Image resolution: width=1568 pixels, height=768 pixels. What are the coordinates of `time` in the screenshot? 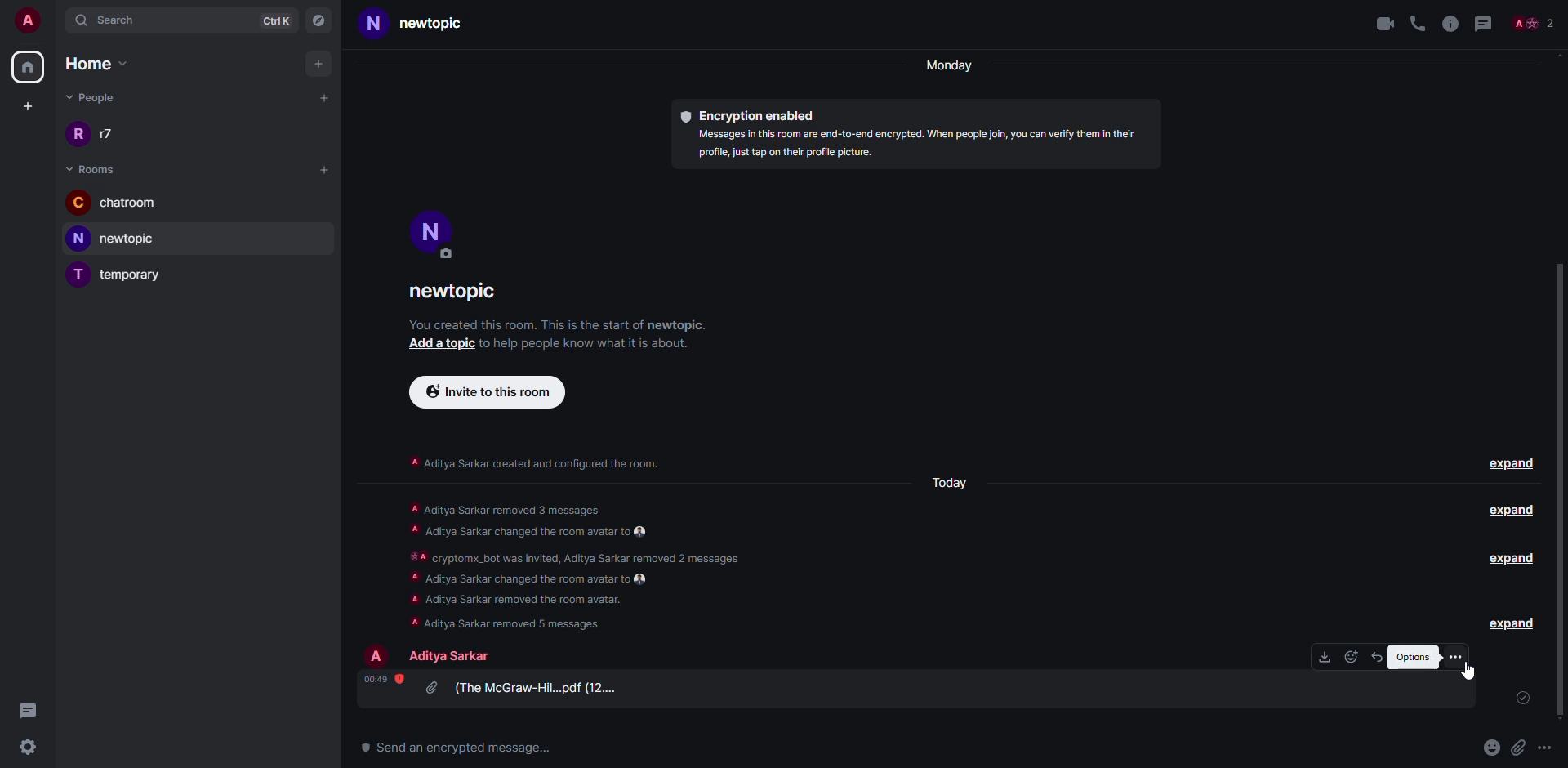 It's located at (379, 678).